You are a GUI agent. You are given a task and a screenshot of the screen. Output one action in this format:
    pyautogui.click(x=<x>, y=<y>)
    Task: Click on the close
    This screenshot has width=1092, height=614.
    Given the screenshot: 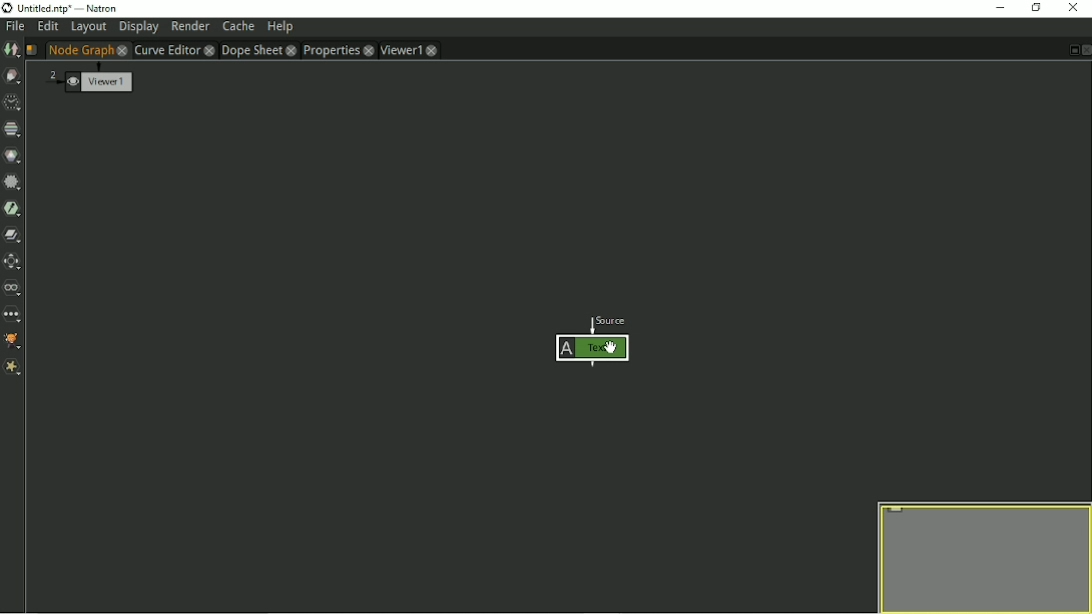 What is the action you would take?
    pyautogui.click(x=208, y=50)
    